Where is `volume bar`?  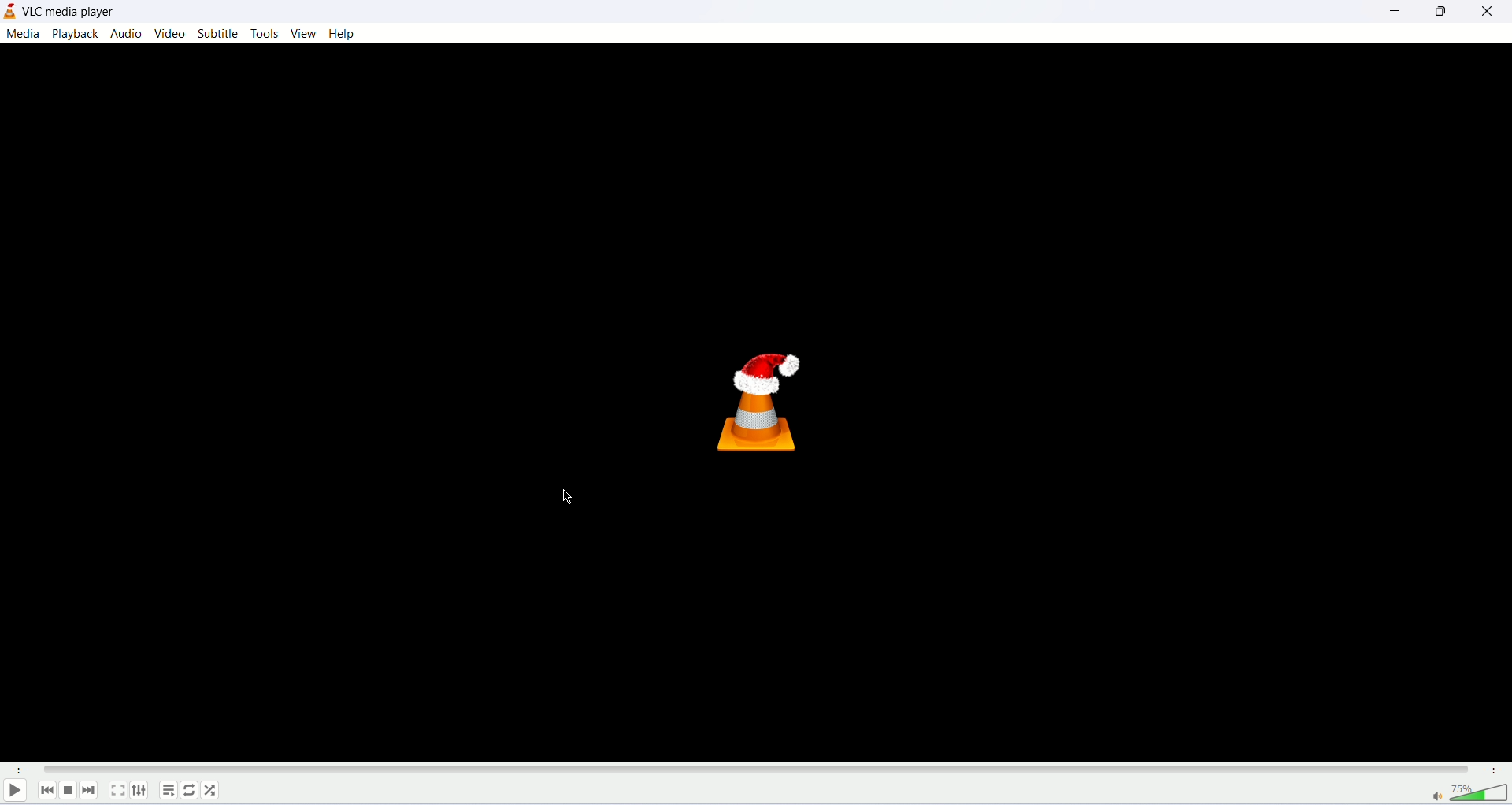
volume bar is located at coordinates (1480, 792).